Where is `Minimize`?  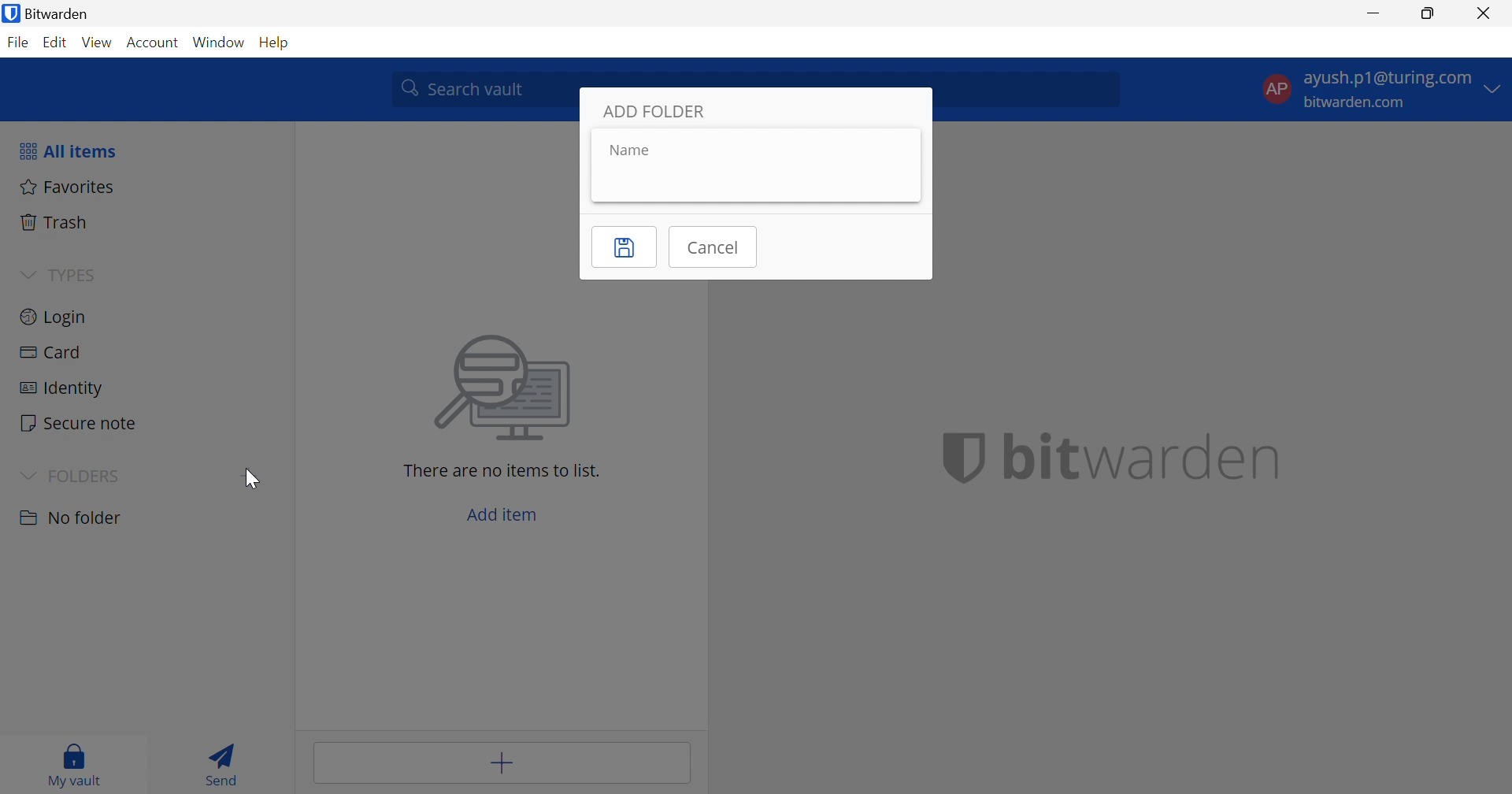
Minimize is located at coordinates (1373, 11).